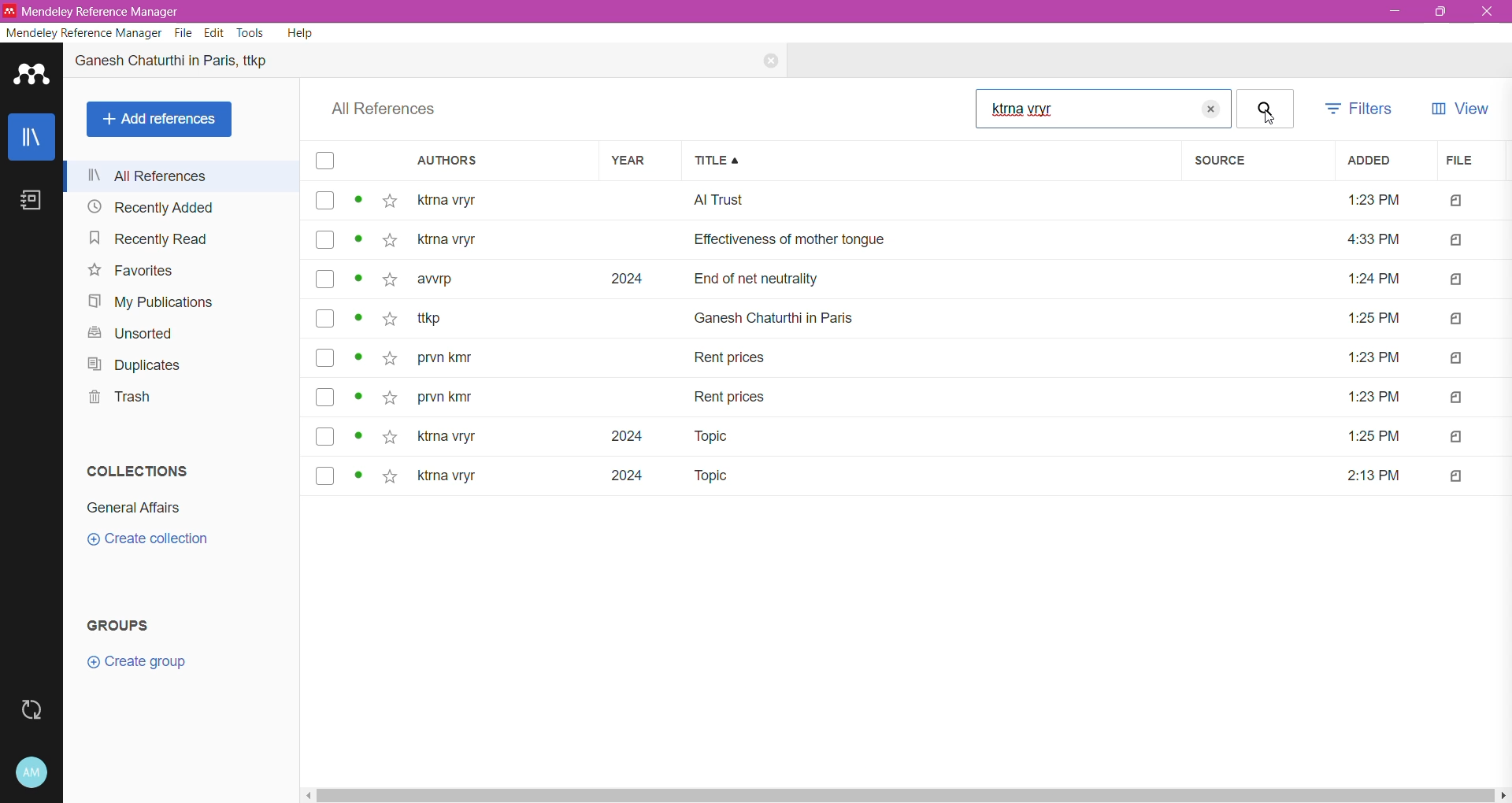  Describe the element at coordinates (325, 396) in the screenshot. I see `select reference ` at that location.